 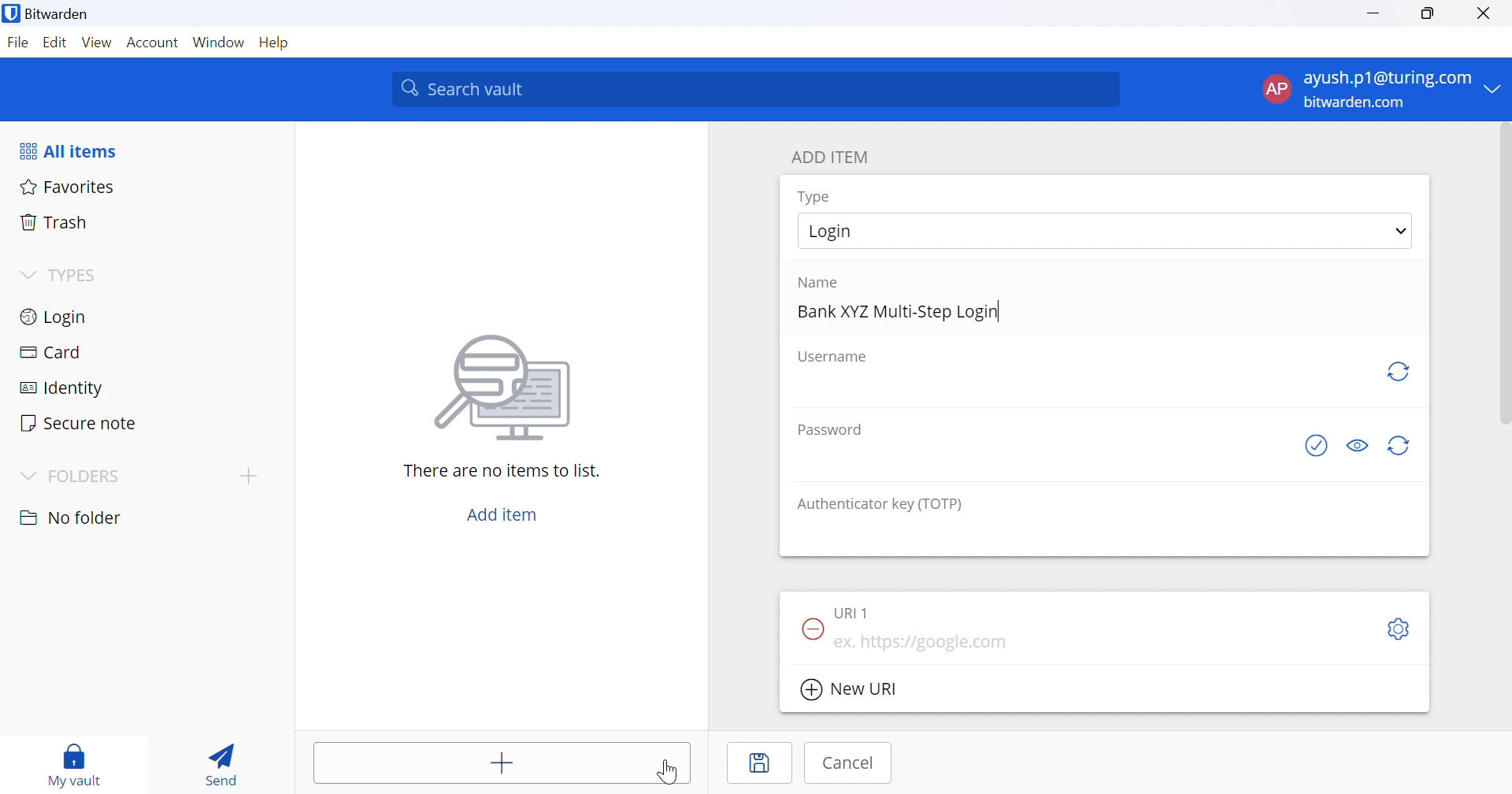 I want to click on Close, so click(x=1486, y=15).